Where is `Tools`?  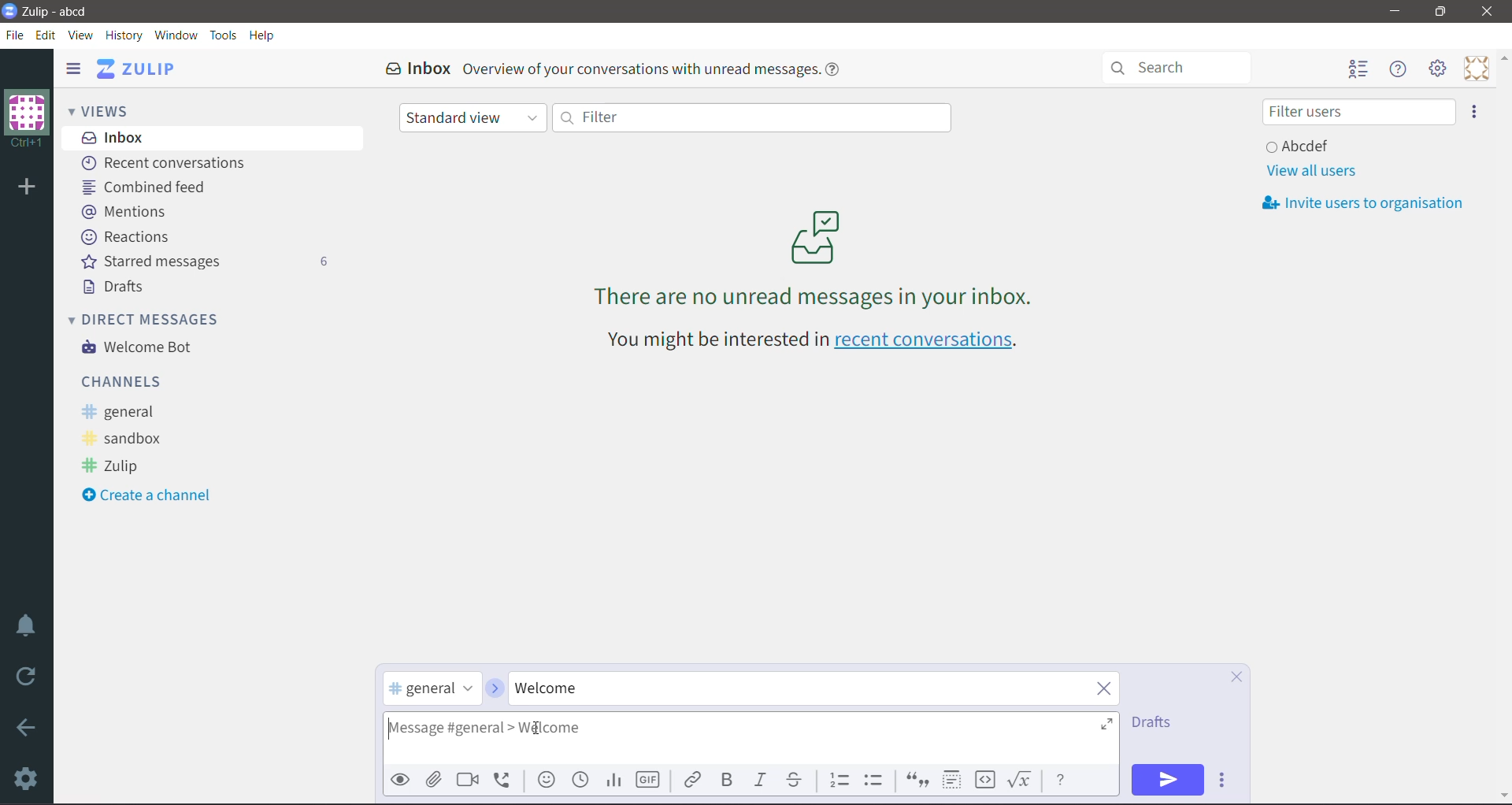
Tools is located at coordinates (224, 35).